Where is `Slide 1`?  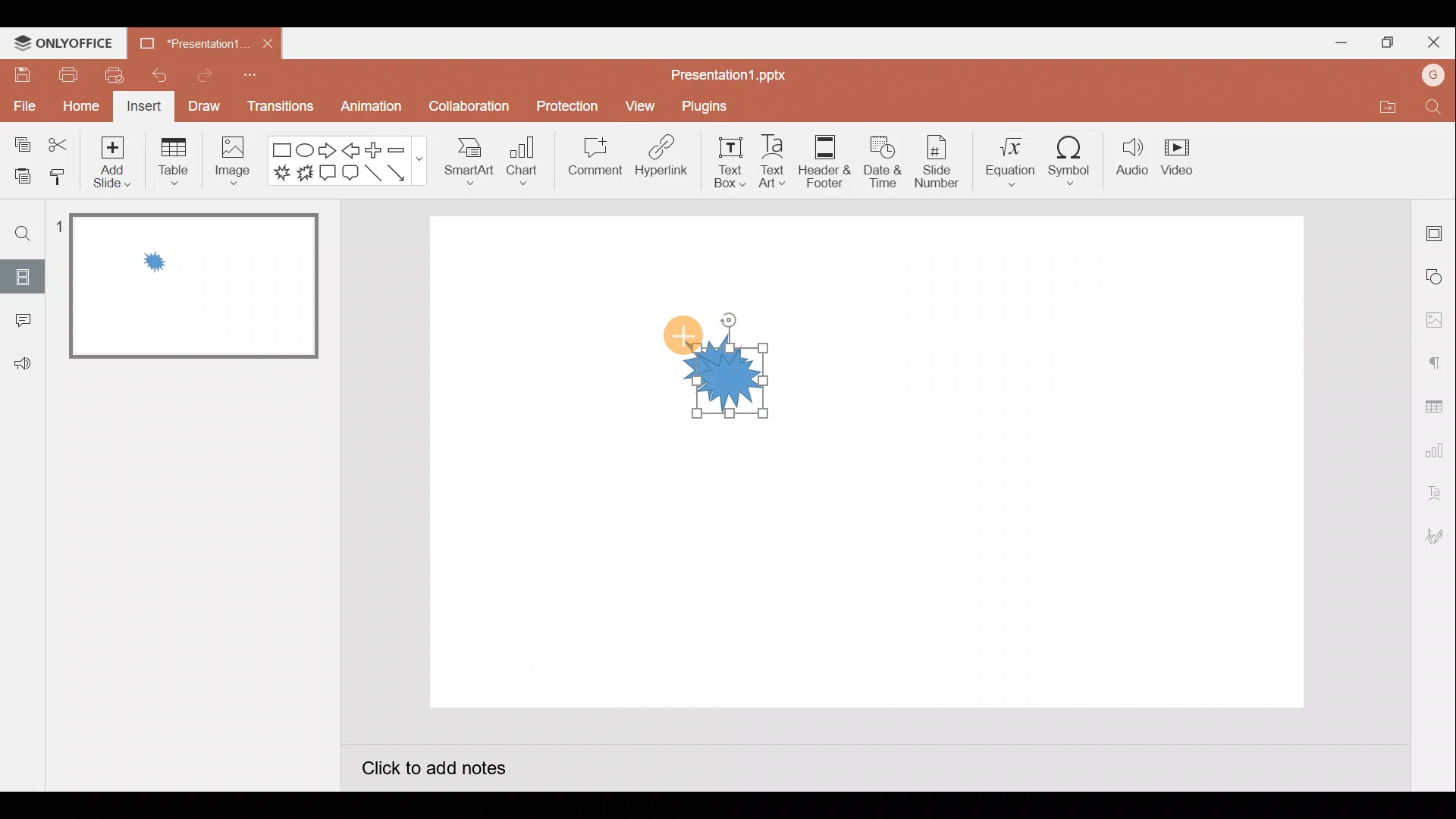 Slide 1 is located at coordinates (184, 287).